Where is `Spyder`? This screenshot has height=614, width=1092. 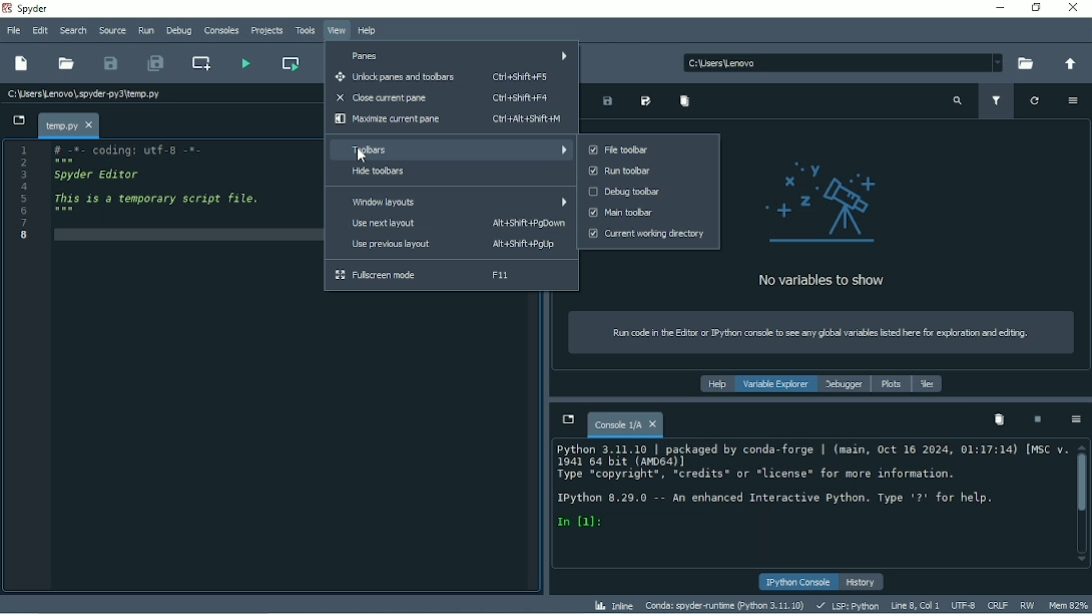 Spyder is located at coordinates (33, 9).